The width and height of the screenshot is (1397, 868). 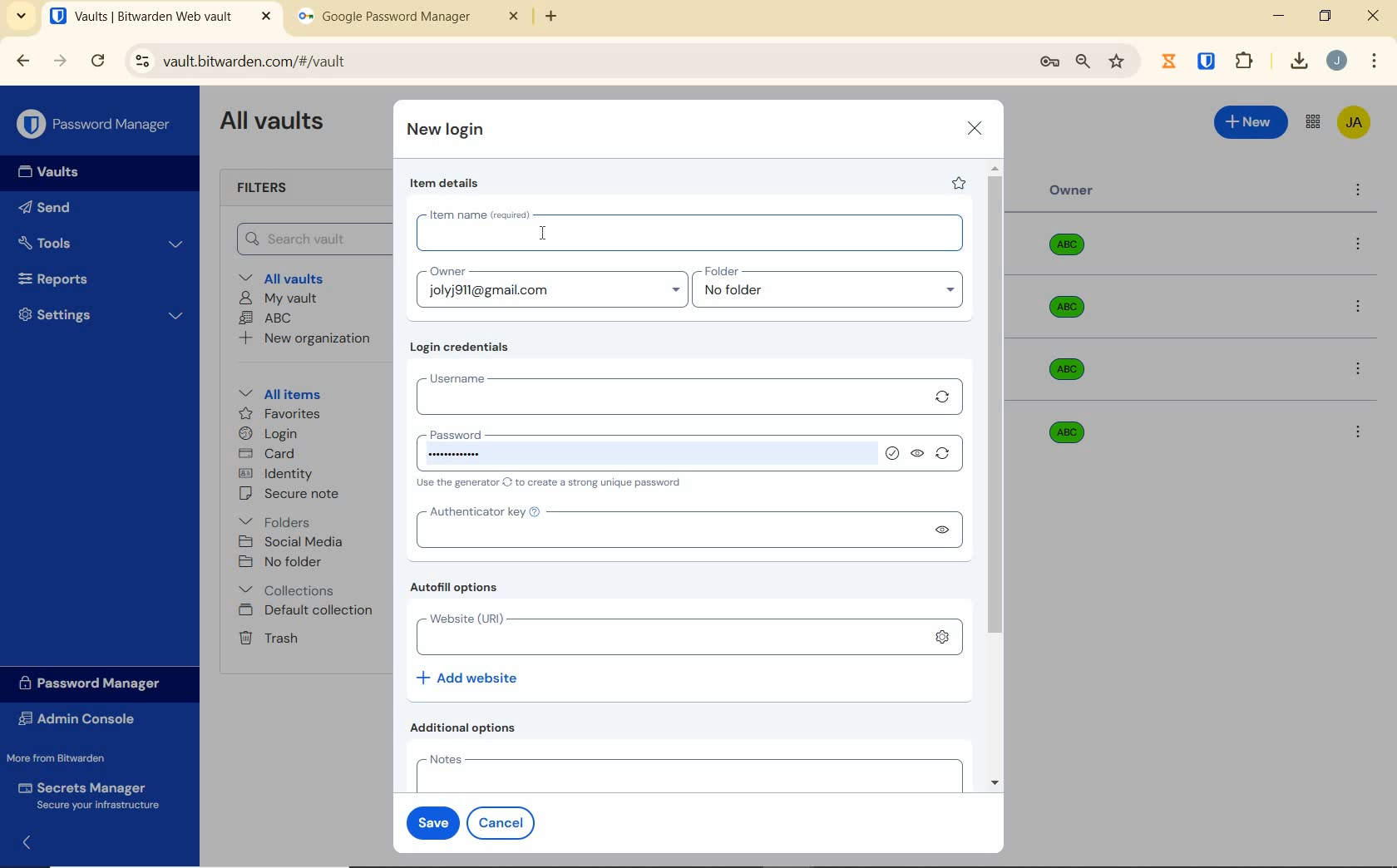 What do you see at coordinates (469, 677) in the screenshot?
I see `Add website` at bounding box center [469, 677].